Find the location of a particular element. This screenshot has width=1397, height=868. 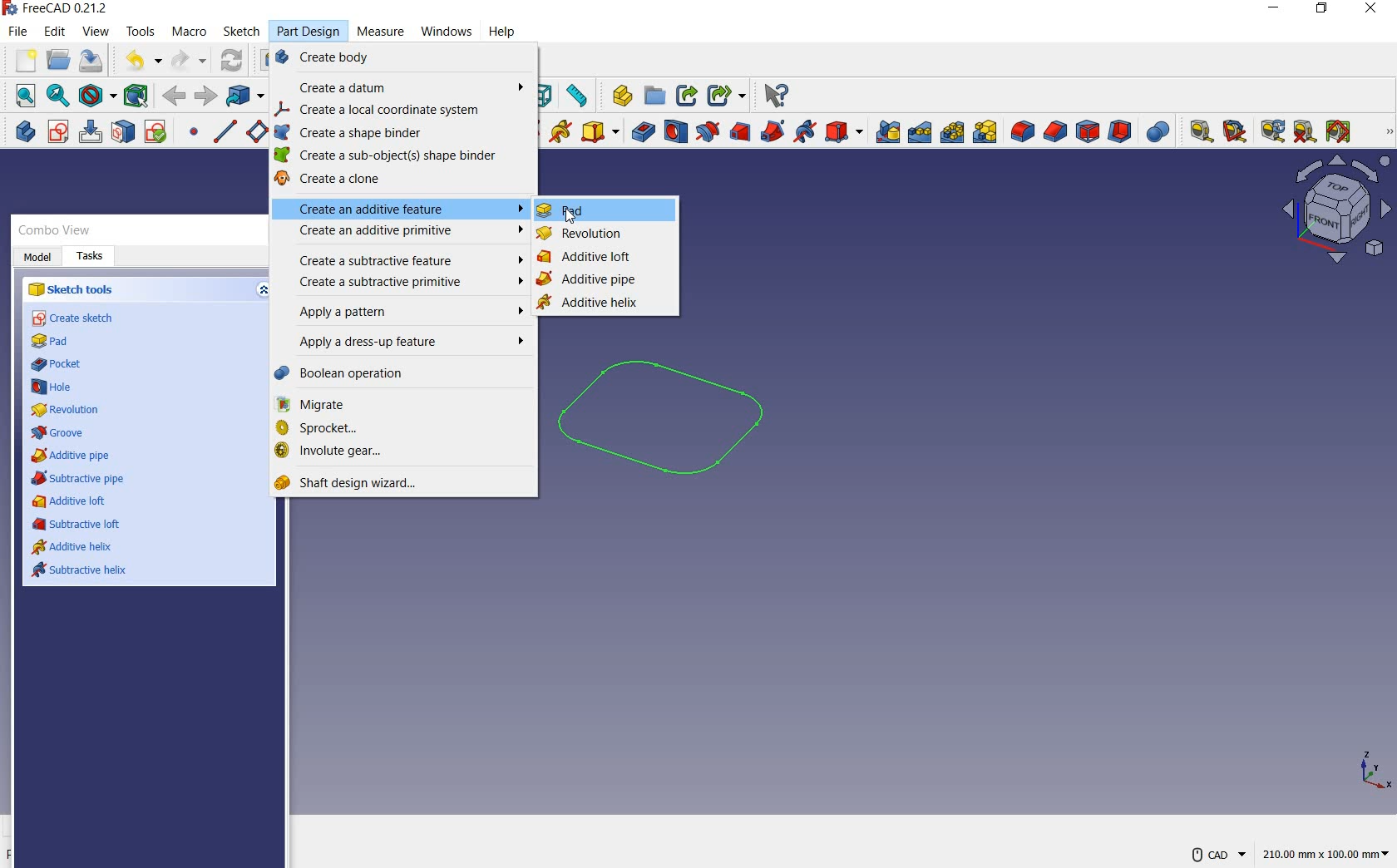

file is located at coordinates (17, 32).